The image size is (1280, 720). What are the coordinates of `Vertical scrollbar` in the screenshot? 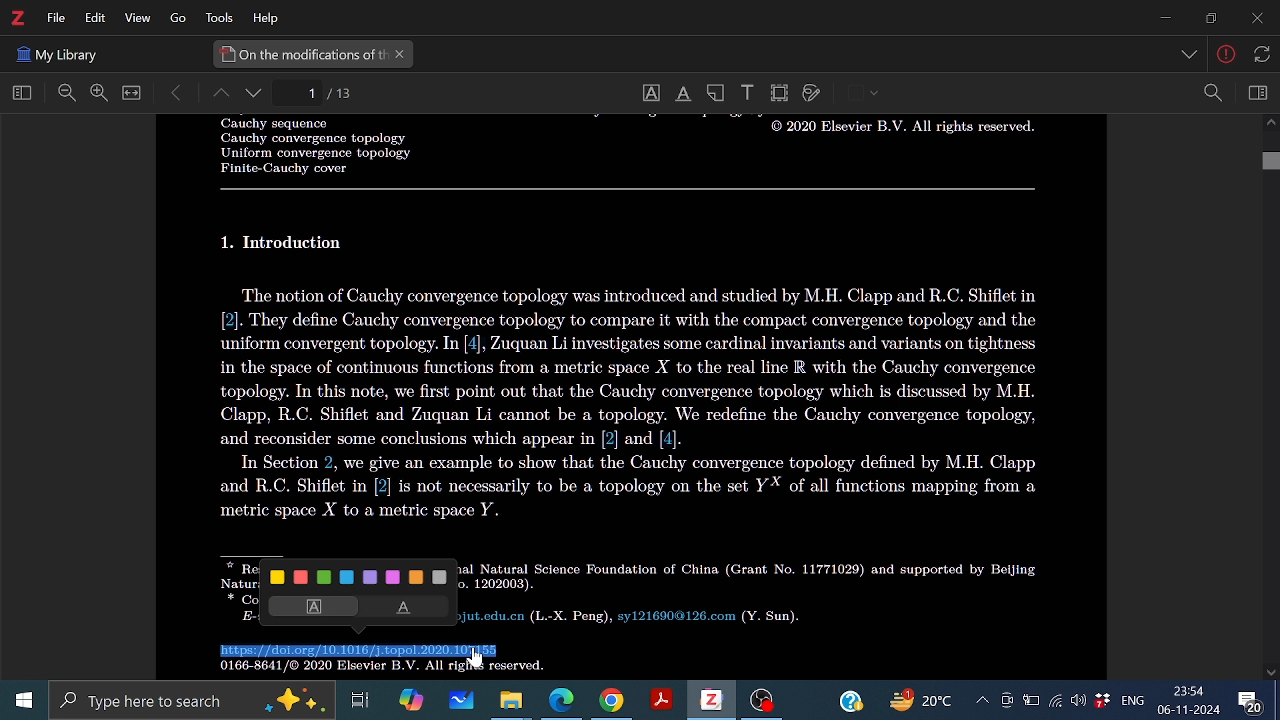 It's located at (1270, 163).